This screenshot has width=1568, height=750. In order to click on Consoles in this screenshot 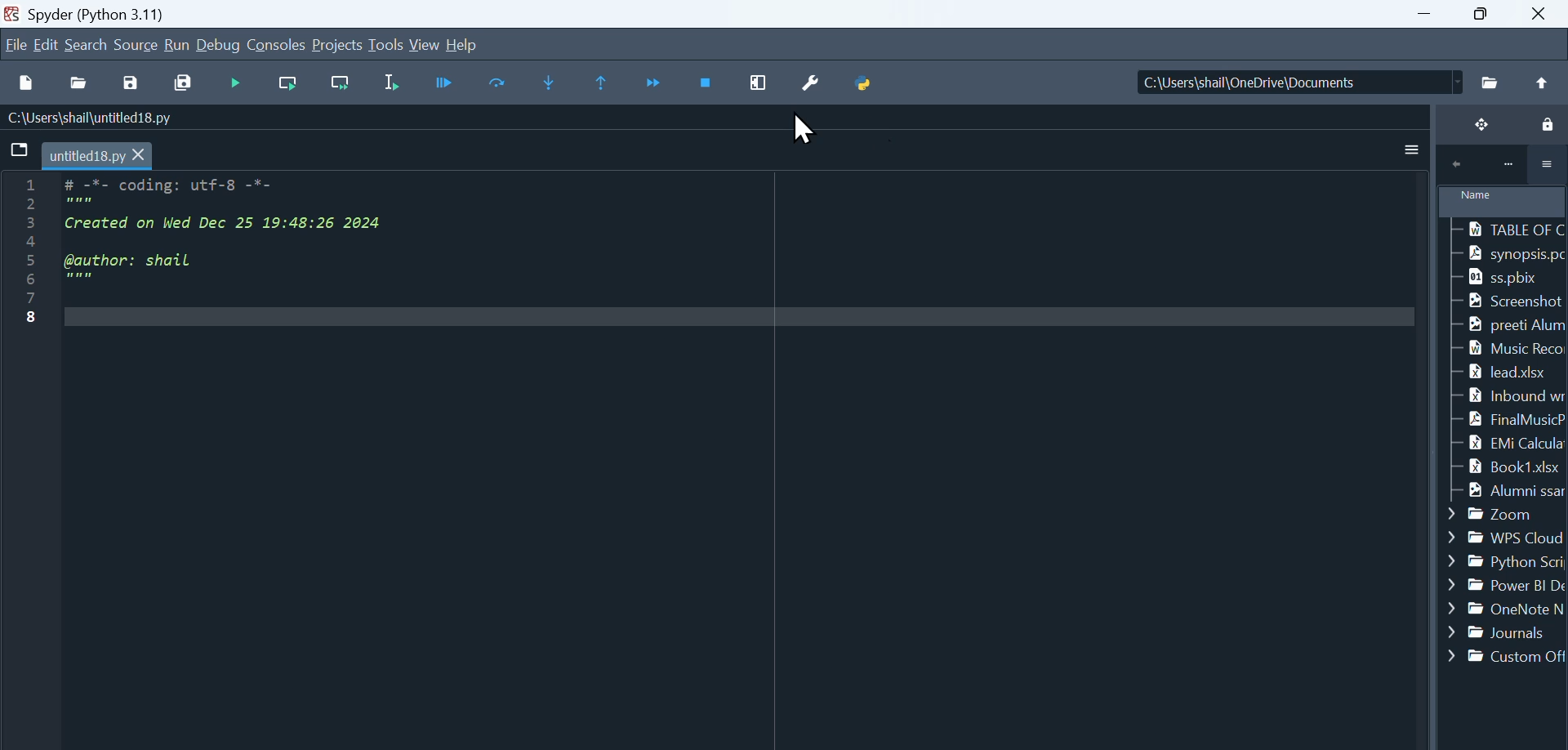, I will do `click(278, 44)`.